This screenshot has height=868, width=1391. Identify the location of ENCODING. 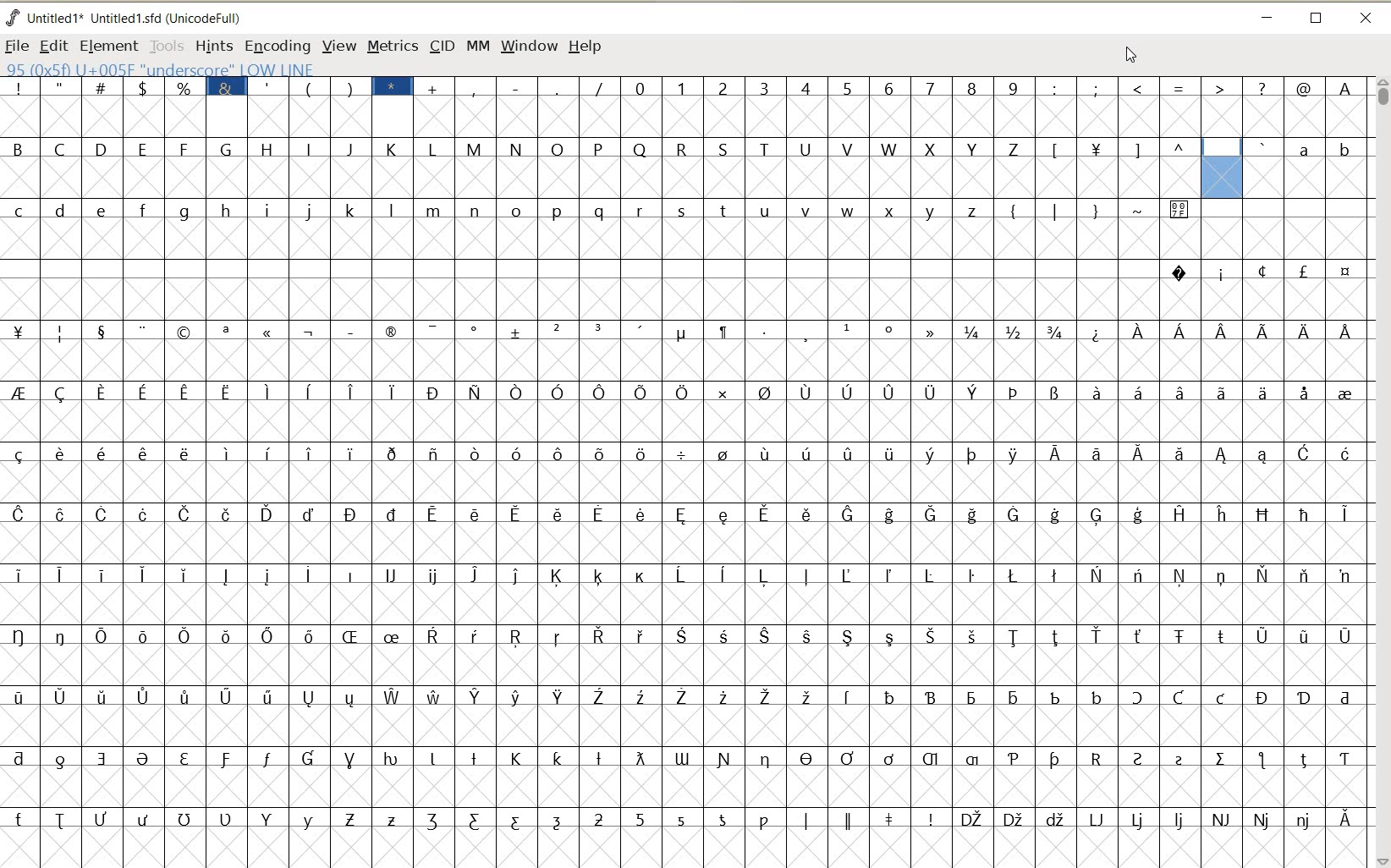
(277, 47).